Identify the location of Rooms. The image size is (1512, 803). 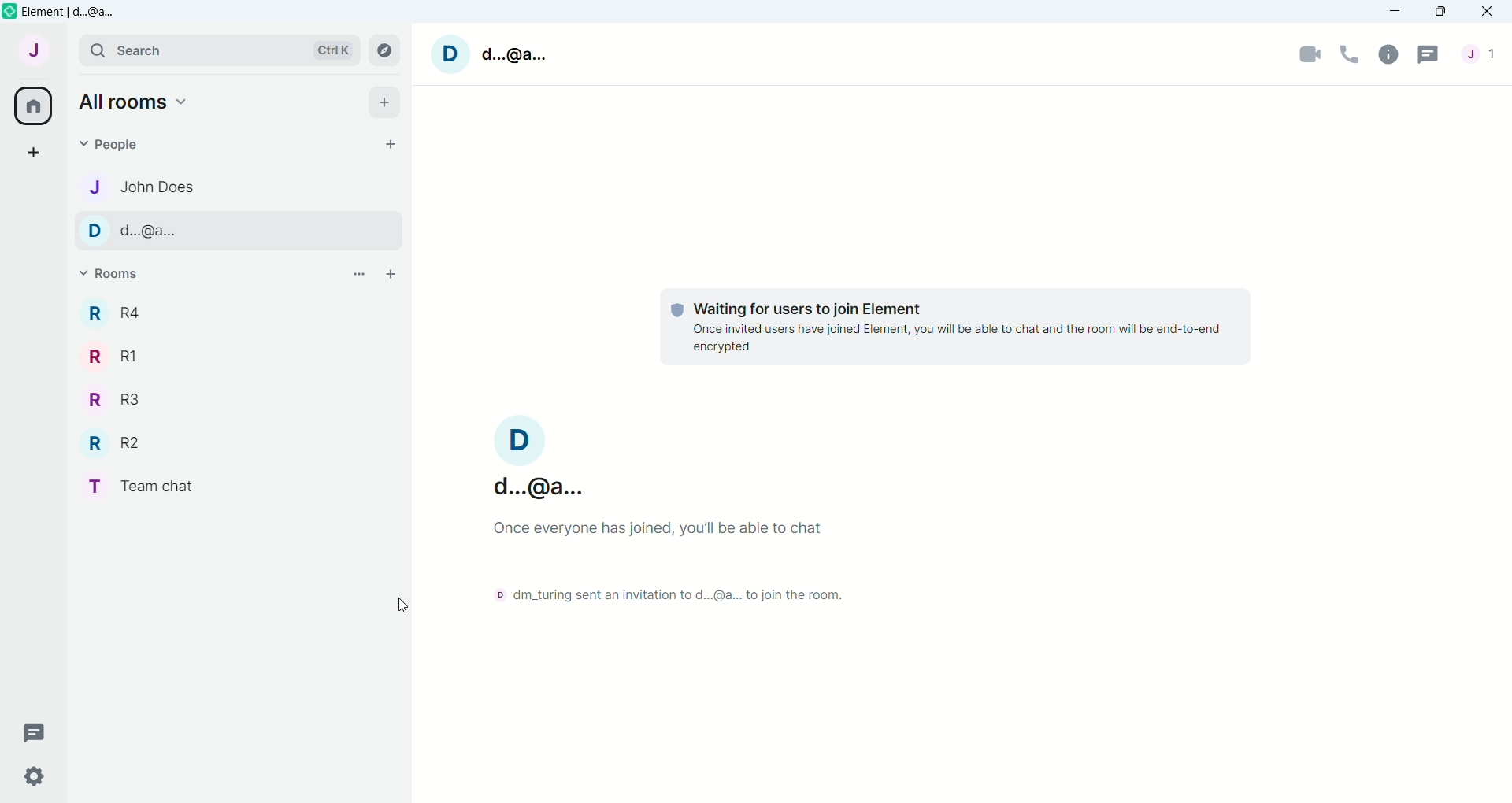
(119, 276).